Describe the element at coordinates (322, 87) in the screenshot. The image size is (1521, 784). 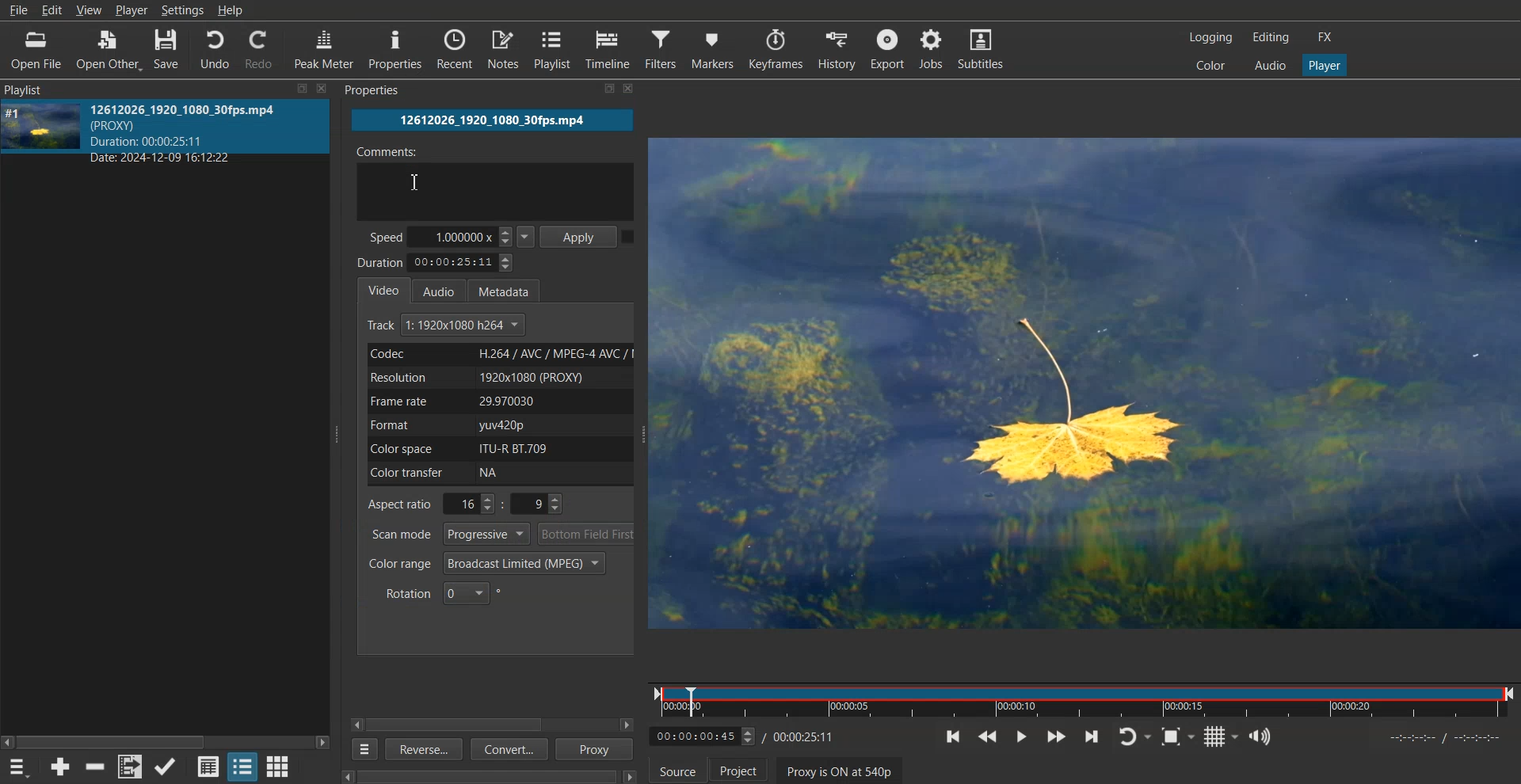
I see `close` at that location.